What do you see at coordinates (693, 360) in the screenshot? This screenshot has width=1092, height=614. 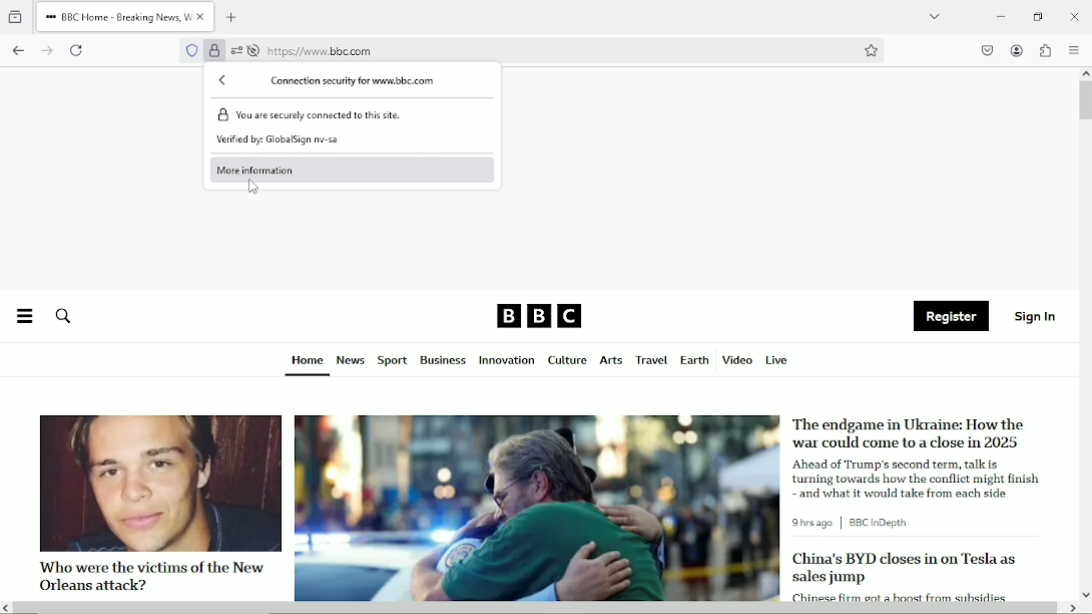 I see `Earth` at bounding box center [693, 360].